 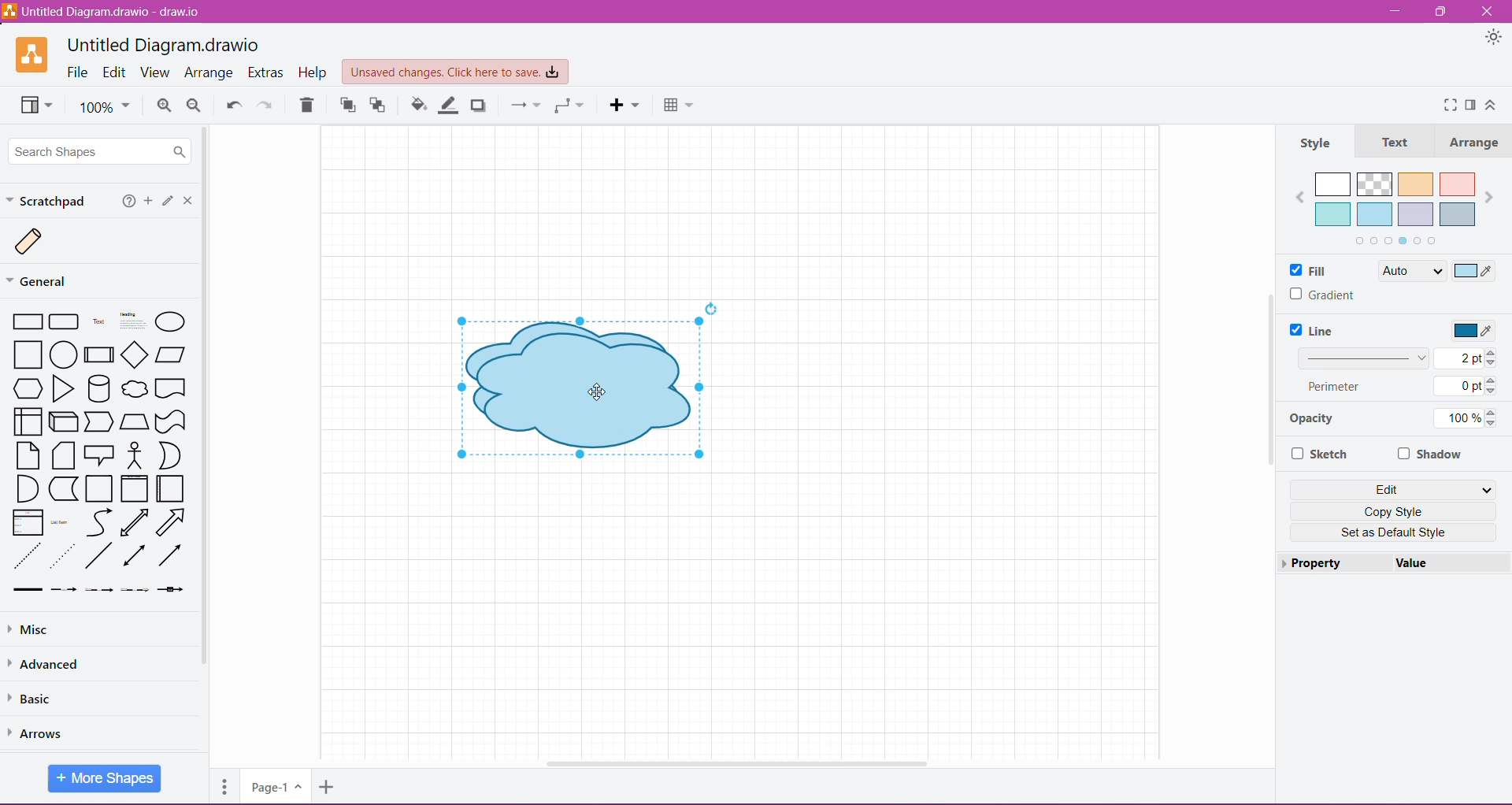 What do you see at coordinates (149, 201) in the screenshot?
I see `Add` at bounding box center [149, 201].